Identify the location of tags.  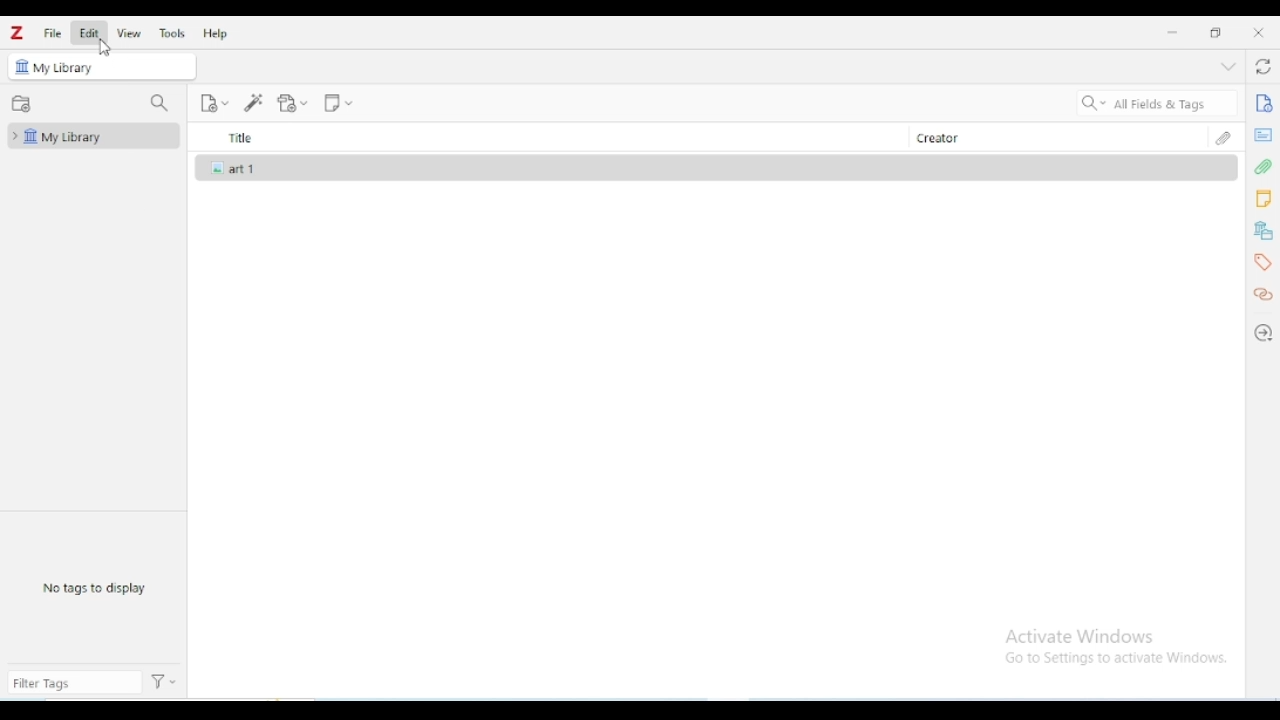
(1262, 263).